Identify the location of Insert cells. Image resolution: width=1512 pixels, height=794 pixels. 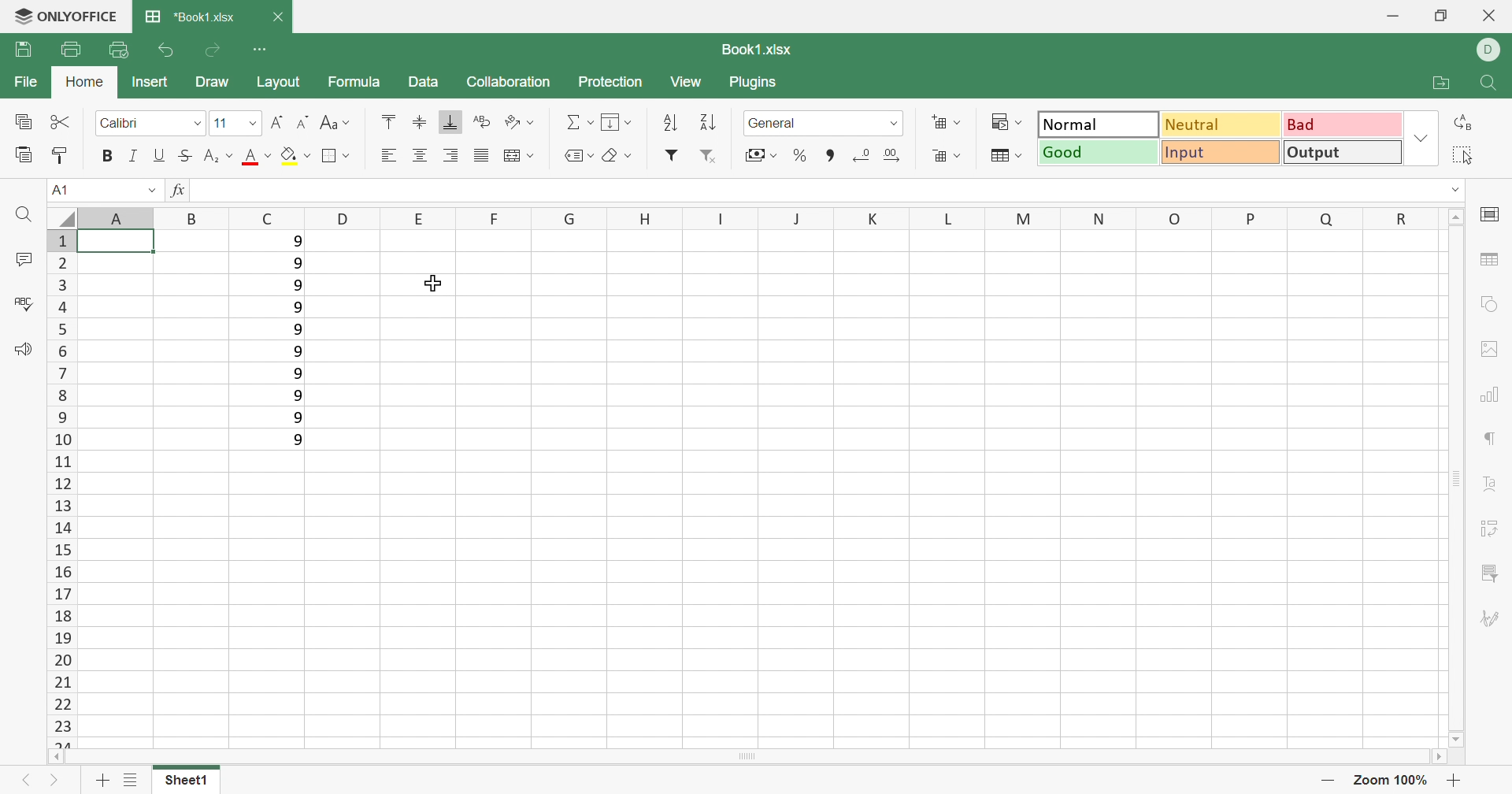
(947, 121).